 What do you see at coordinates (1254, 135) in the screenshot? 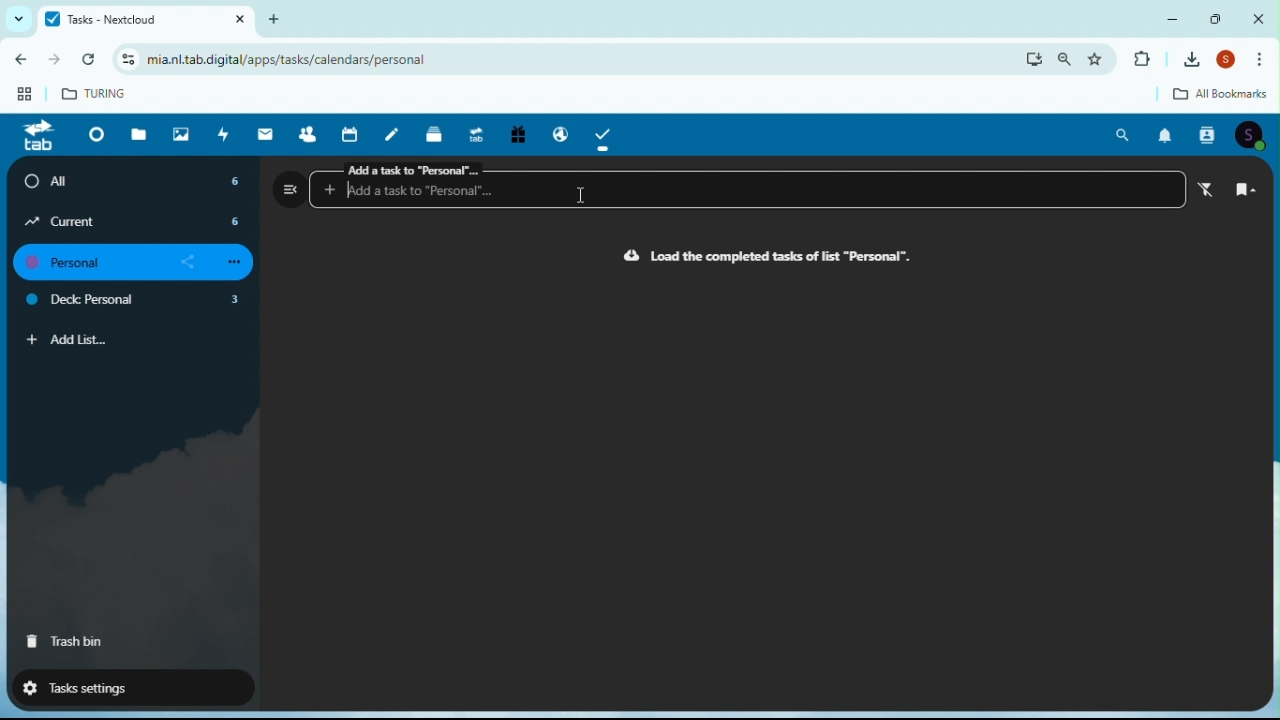
I see `Account icon` at bounding box center [1254, 135].